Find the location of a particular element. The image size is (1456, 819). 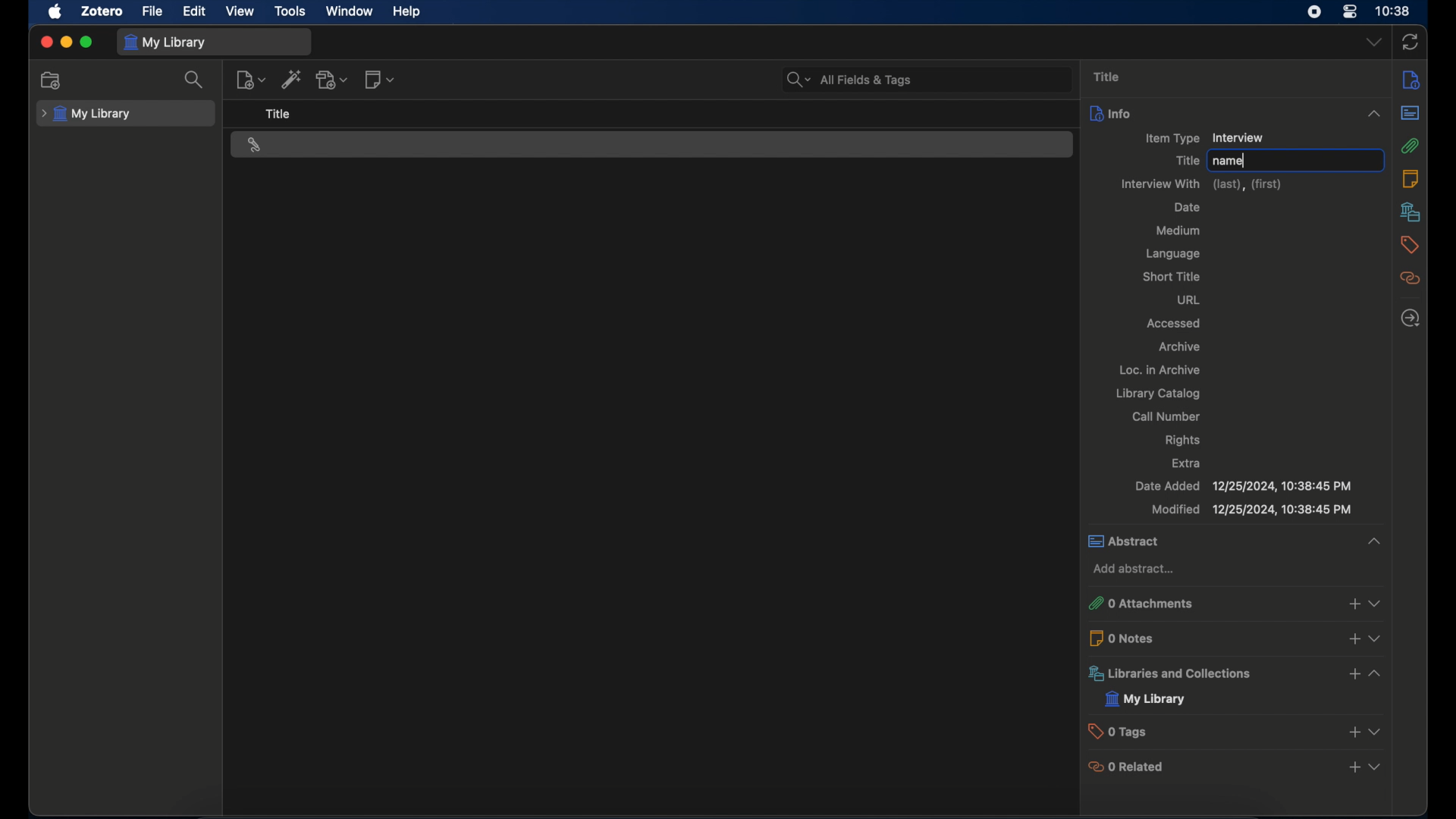

close is located at coordinates (45, 42).